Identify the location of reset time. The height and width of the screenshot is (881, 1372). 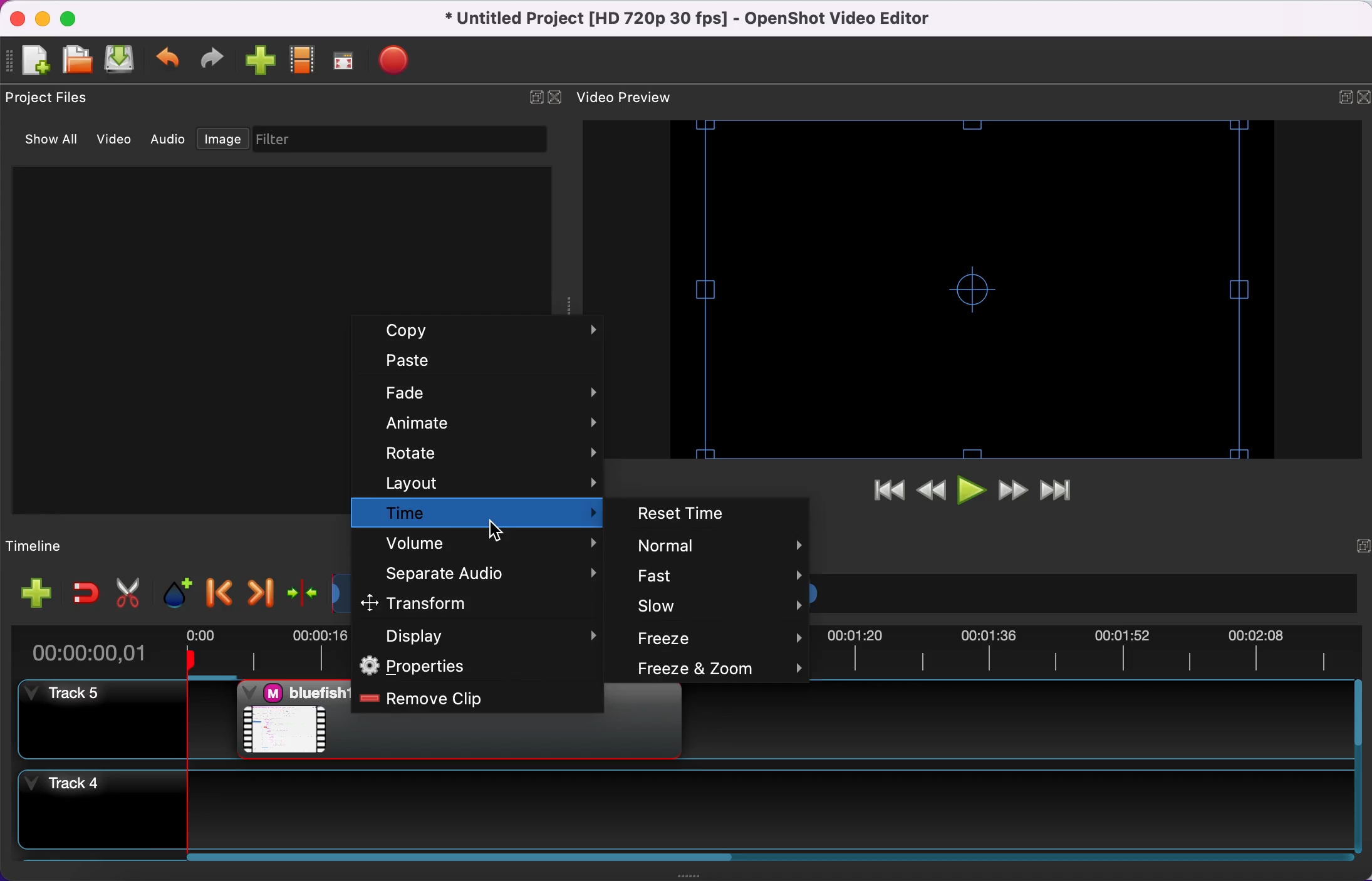
(712, 512).